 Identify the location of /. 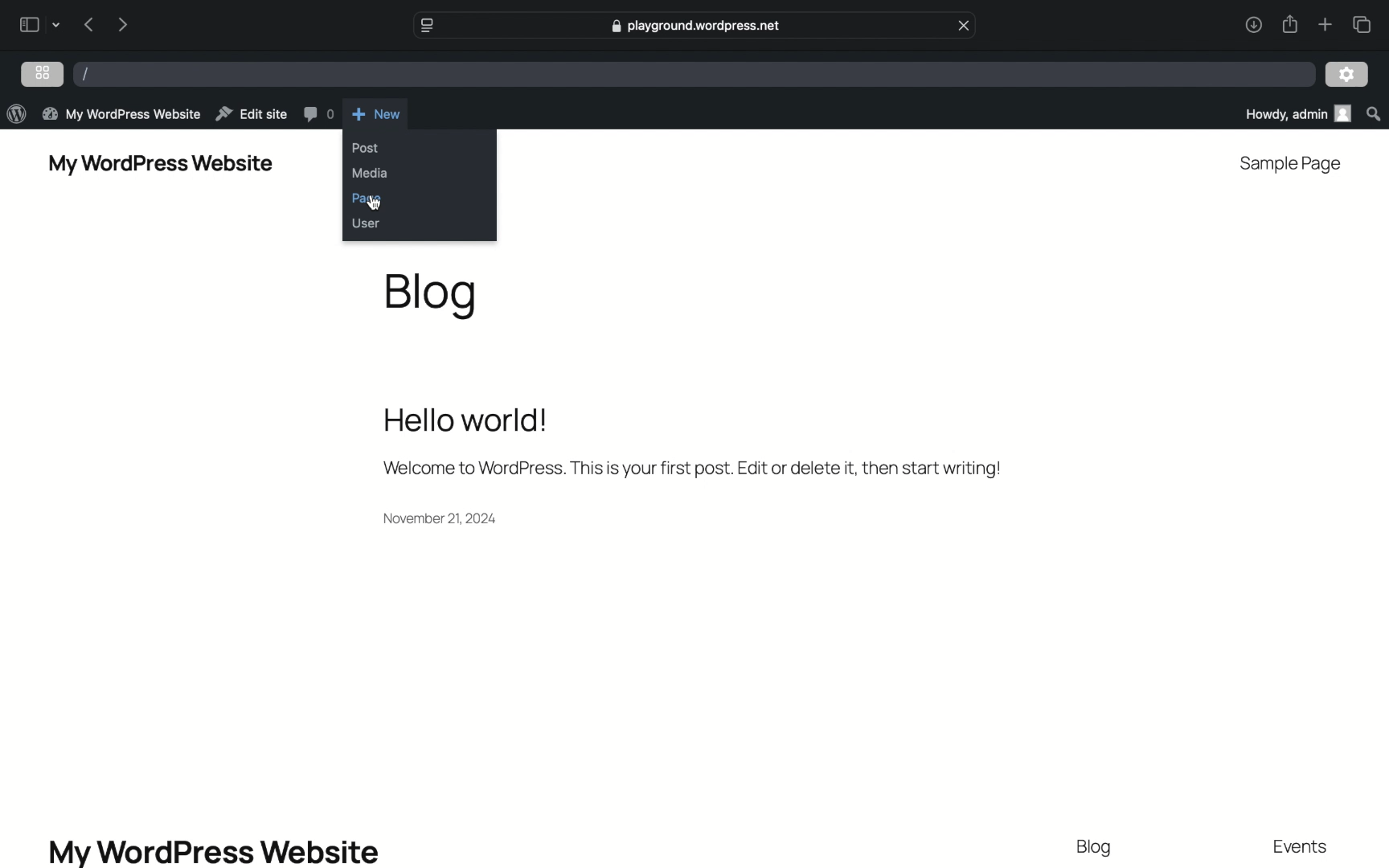
(85, 74).